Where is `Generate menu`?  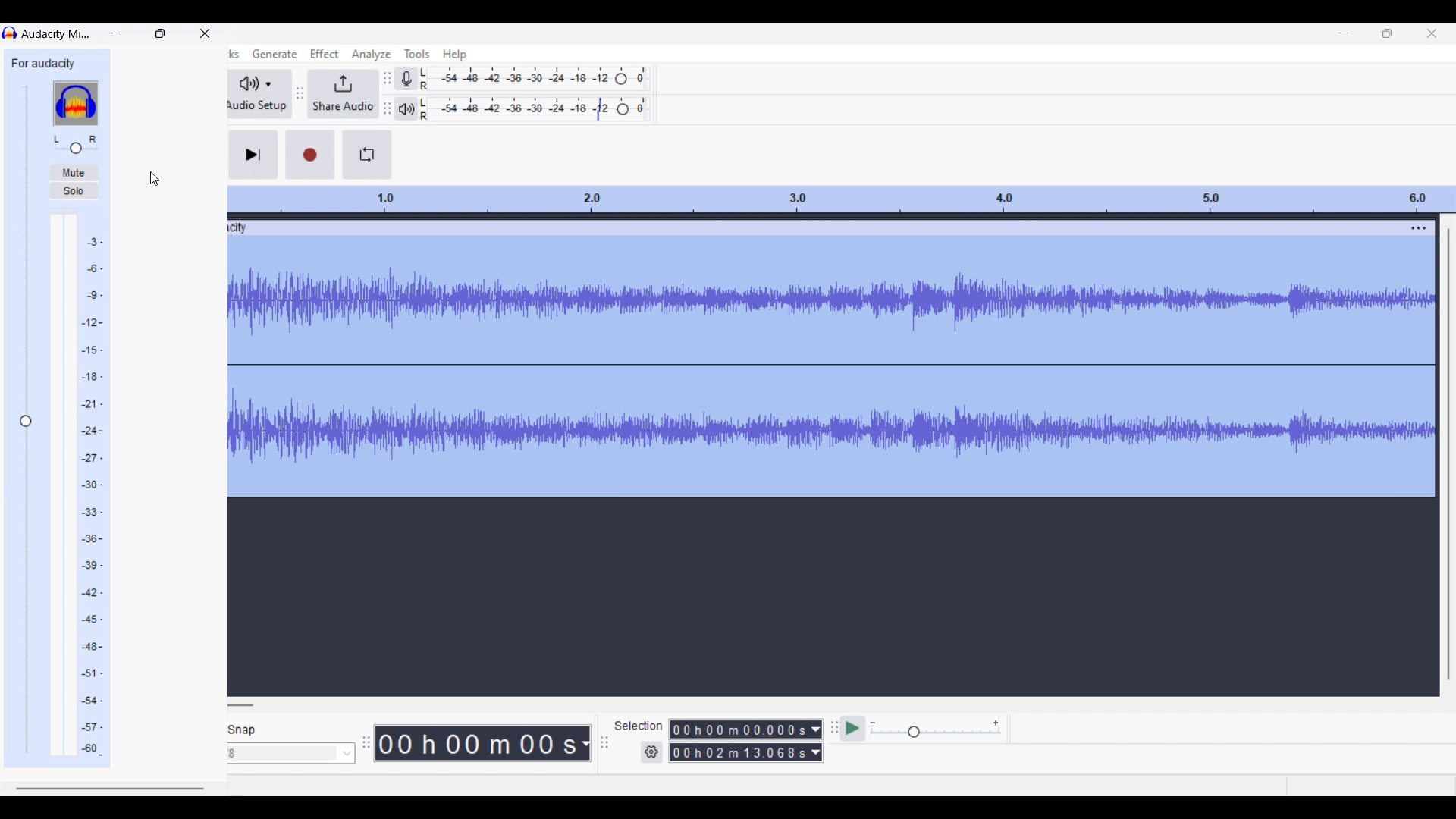 Generate menu is located at coordinates (275, 54).